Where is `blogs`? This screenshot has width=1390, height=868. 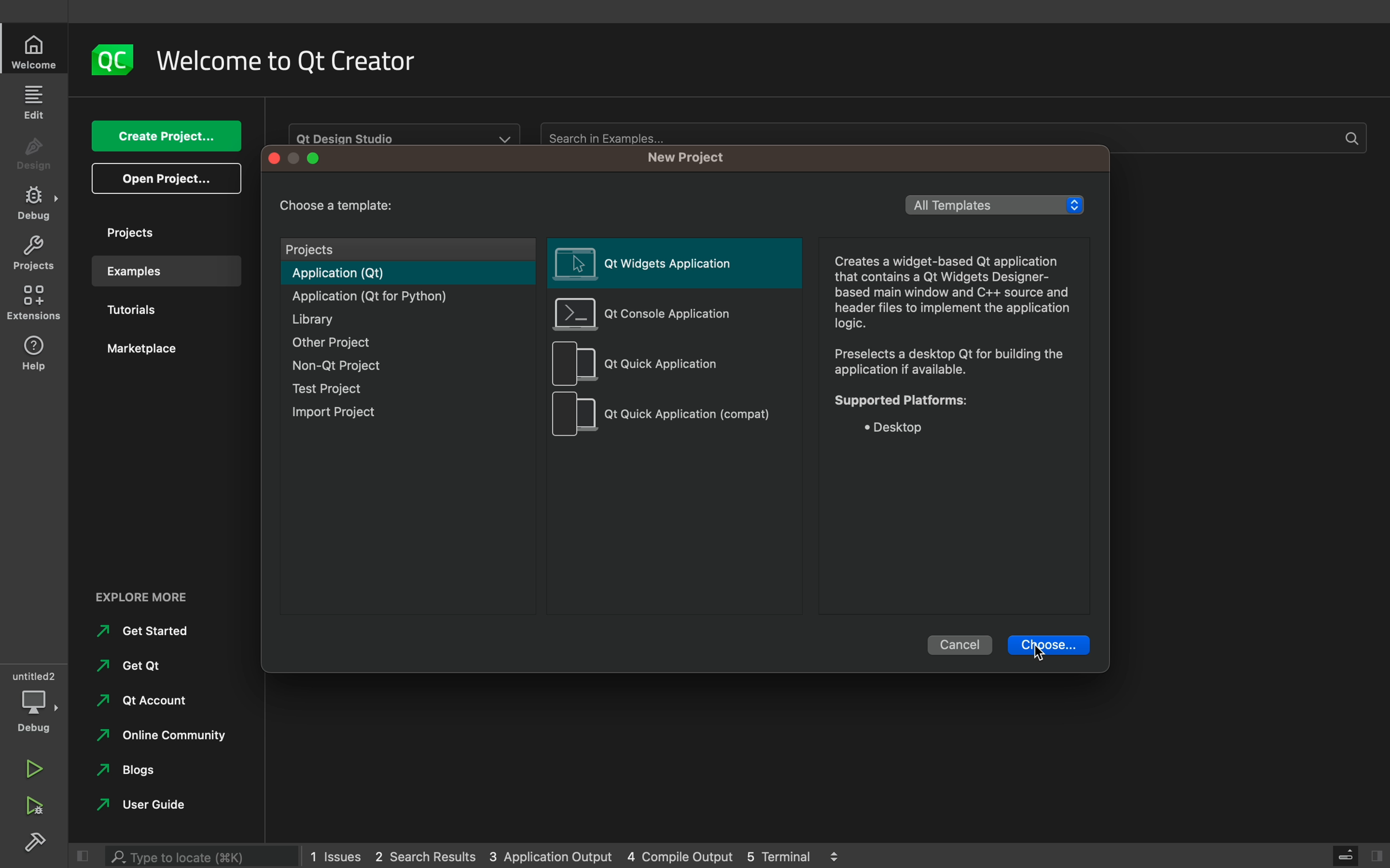 blogs is located at coordinates (130, 774).